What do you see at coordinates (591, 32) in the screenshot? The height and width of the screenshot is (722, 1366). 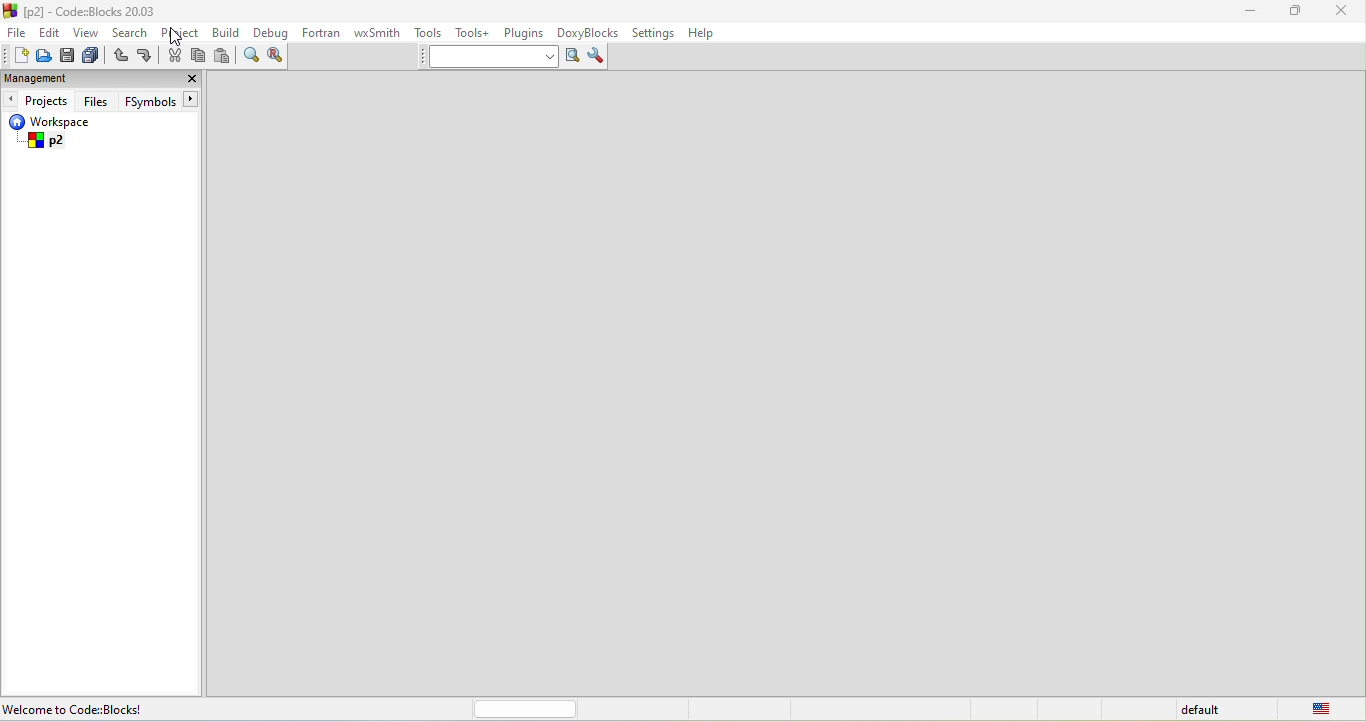 I see `doxyblocks` at bounding box center [591, 32].